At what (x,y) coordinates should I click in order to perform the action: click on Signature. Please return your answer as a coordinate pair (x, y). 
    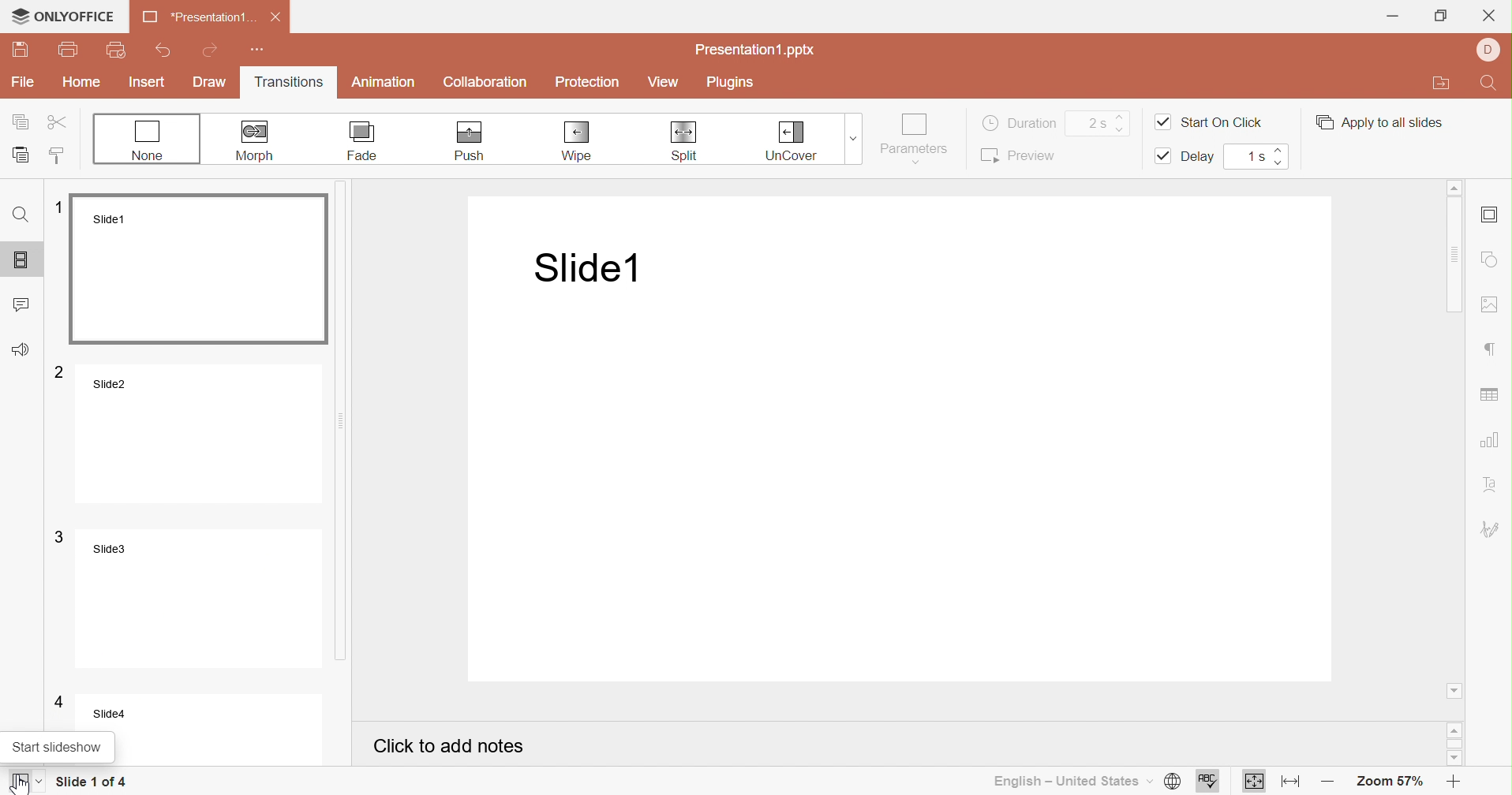
    Looking at the image, I should click on (1492, 529).